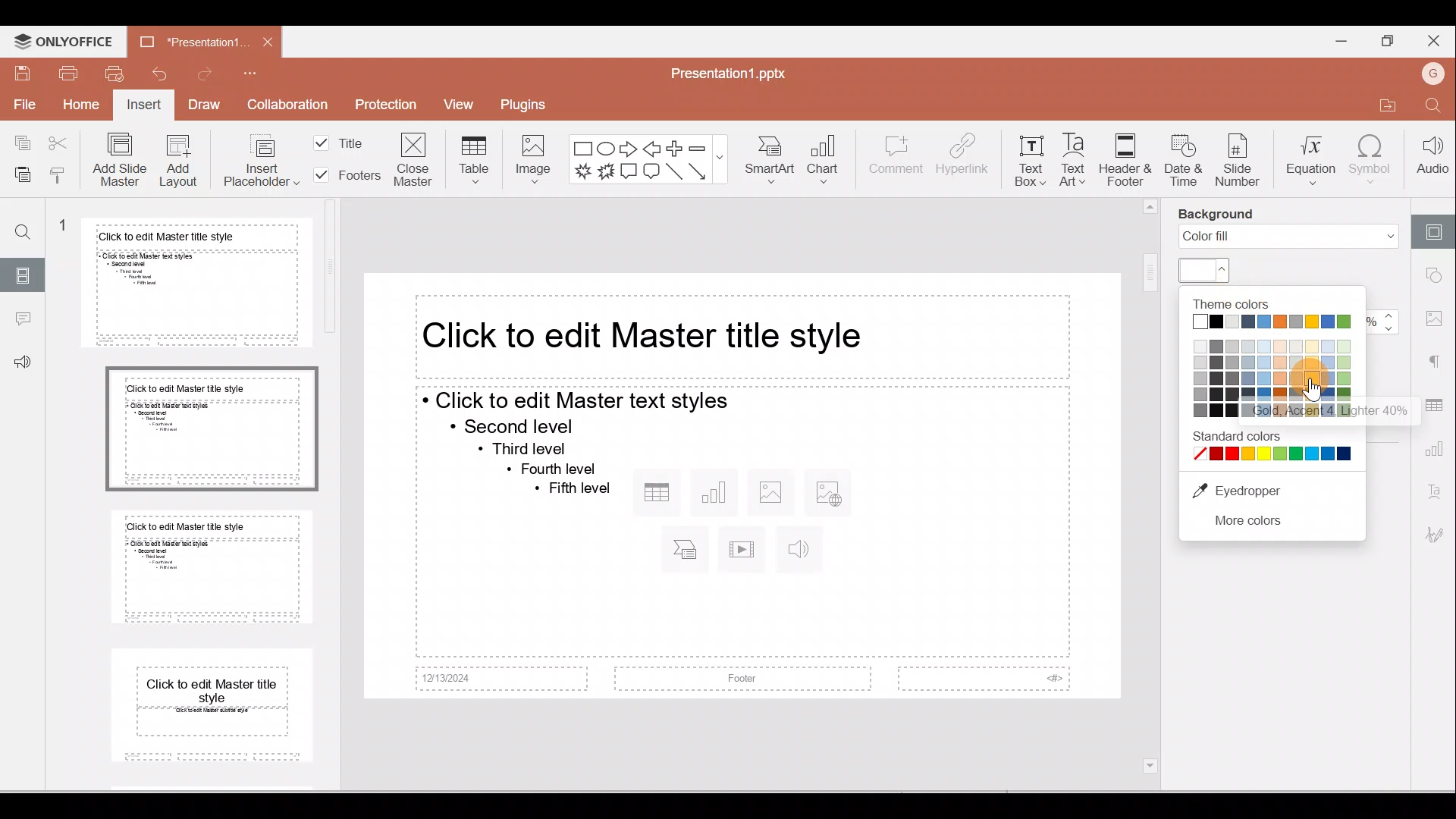 The height and width of the screenshot is (819, 1456). What do you see at coordinates (1273, 445) in the screenshot?
I see `Standard colour palette` at bounding box center [1273, 445].